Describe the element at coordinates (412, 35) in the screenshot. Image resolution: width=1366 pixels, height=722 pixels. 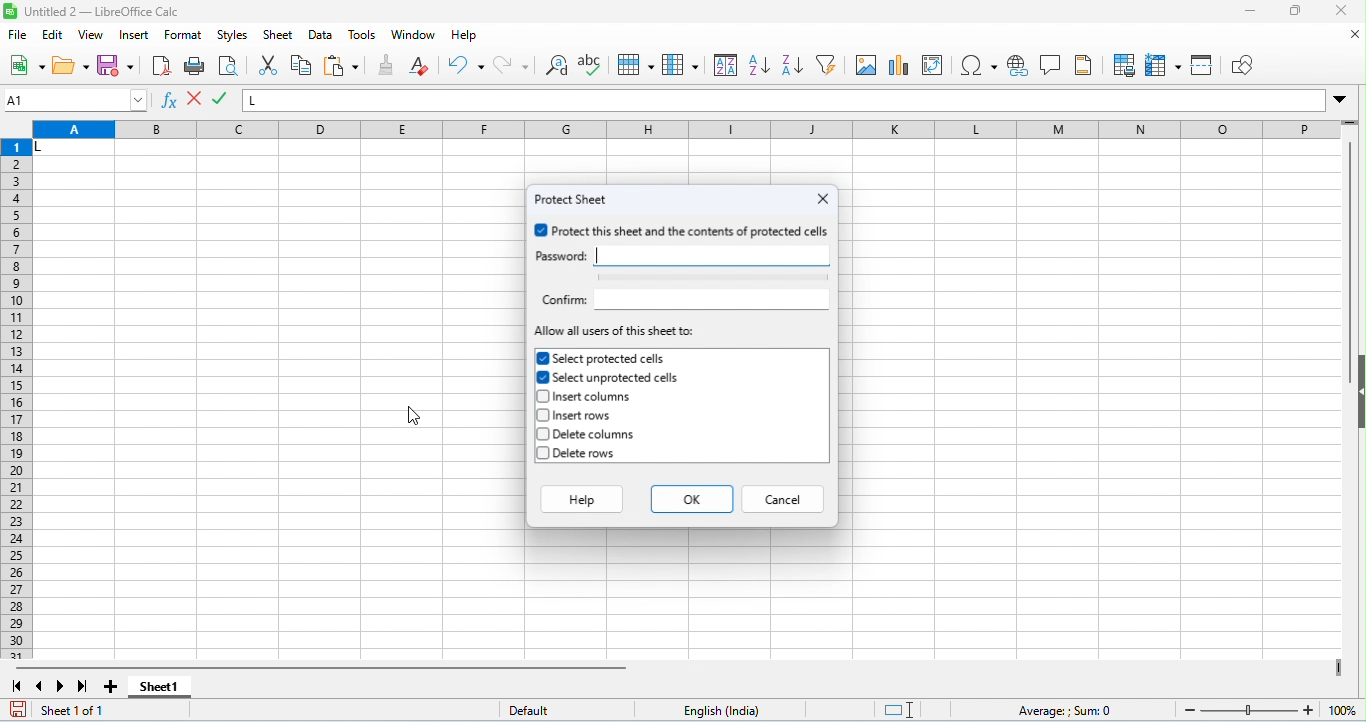
I see `window` at that location.